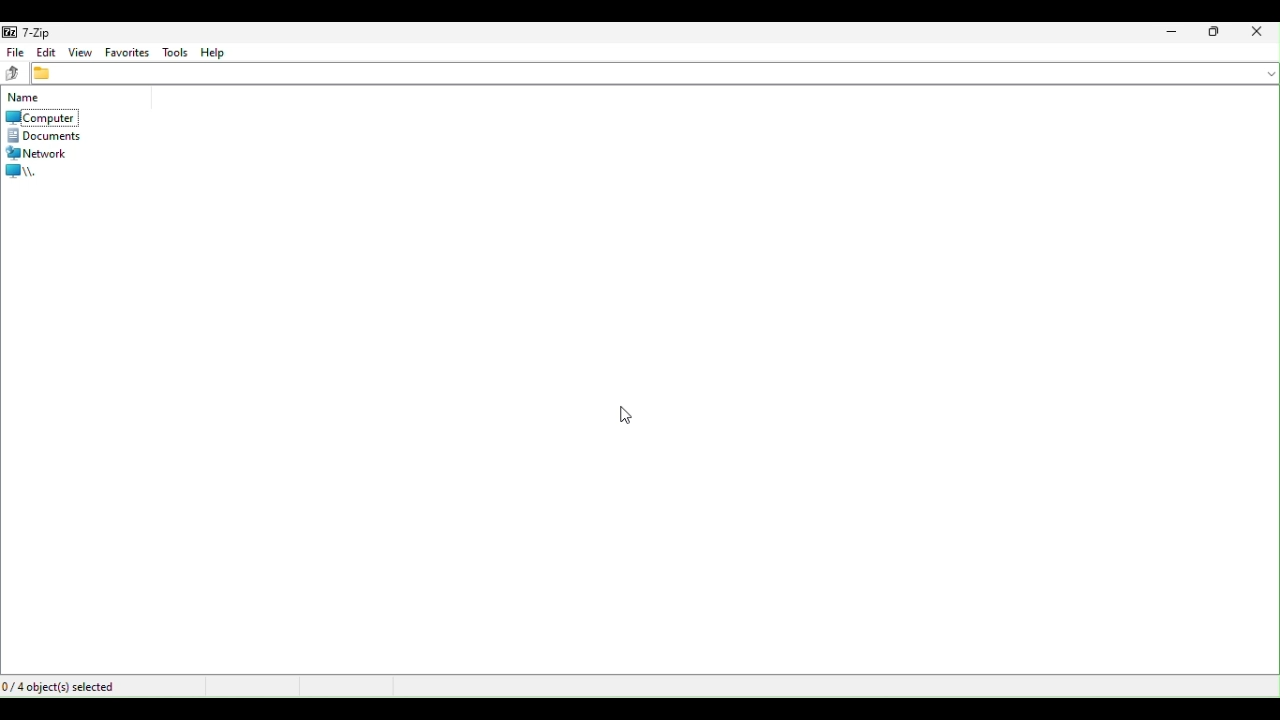 The image size is (1280, 720). What do you see at coordinates (51, 136) in the screenshot?
I see `Documents` at bounding box center [51, 136].